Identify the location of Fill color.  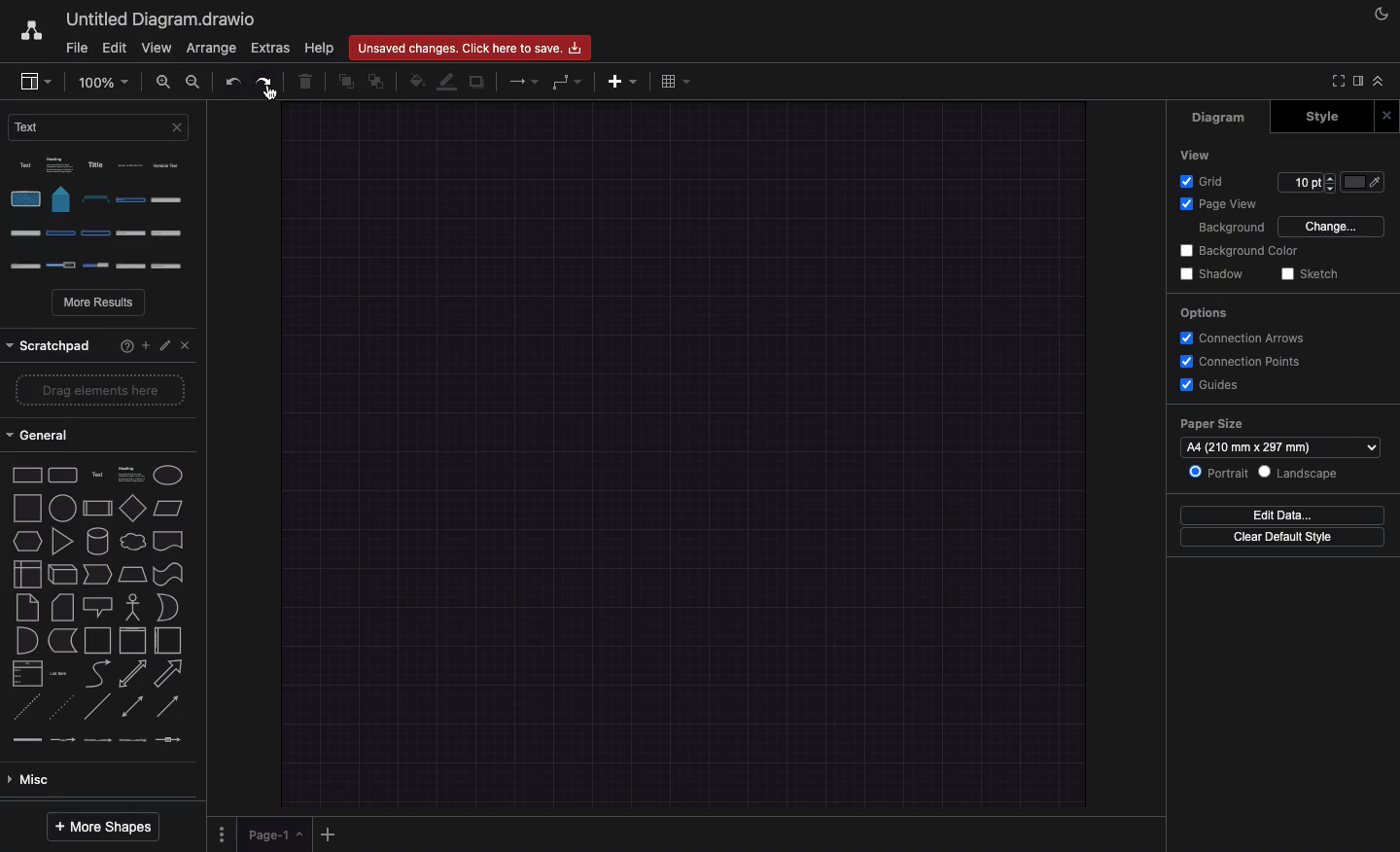
(1364, 182).